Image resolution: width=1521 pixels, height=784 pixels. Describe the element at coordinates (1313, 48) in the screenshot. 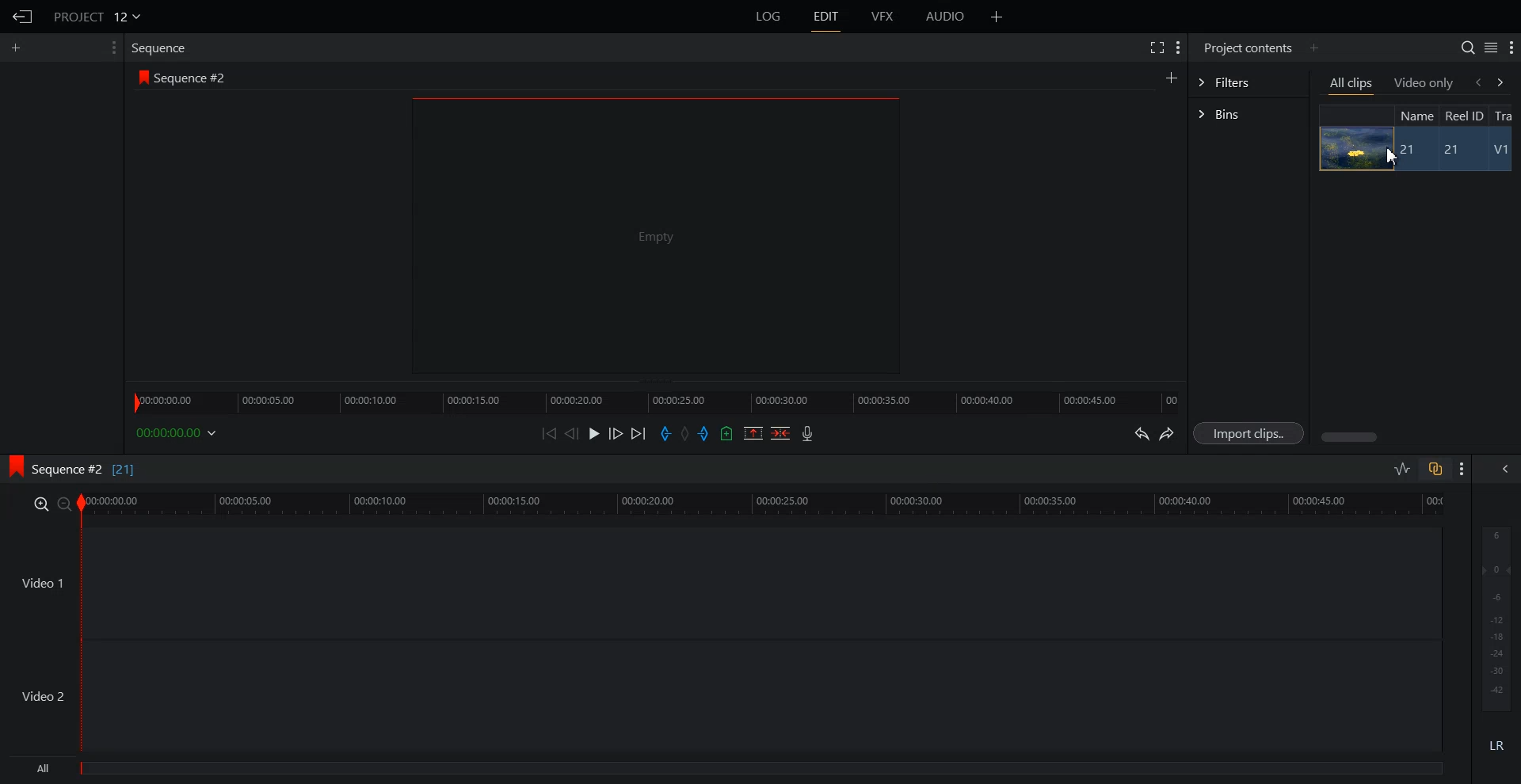

I see `Add panel` at that location.